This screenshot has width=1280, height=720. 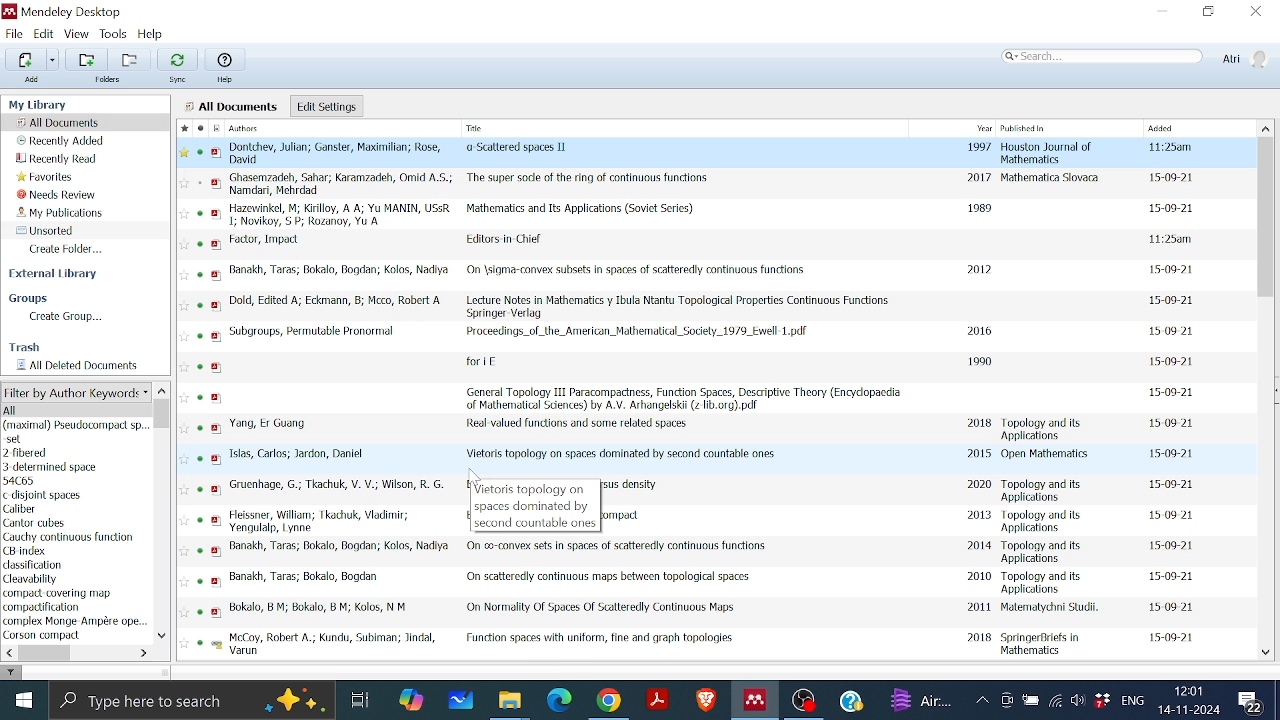 I want to click on date, so click(x=1172, y=148).